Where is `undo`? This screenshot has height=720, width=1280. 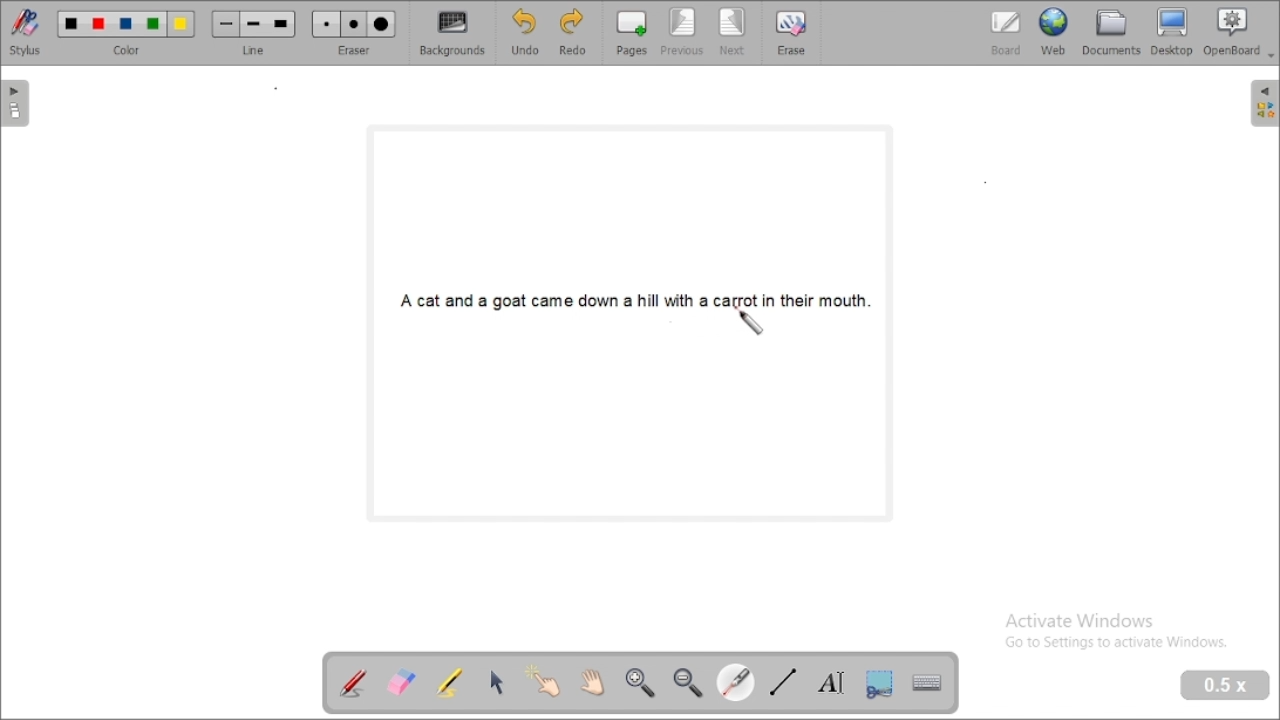
undo is located at coordinates (525, 33).